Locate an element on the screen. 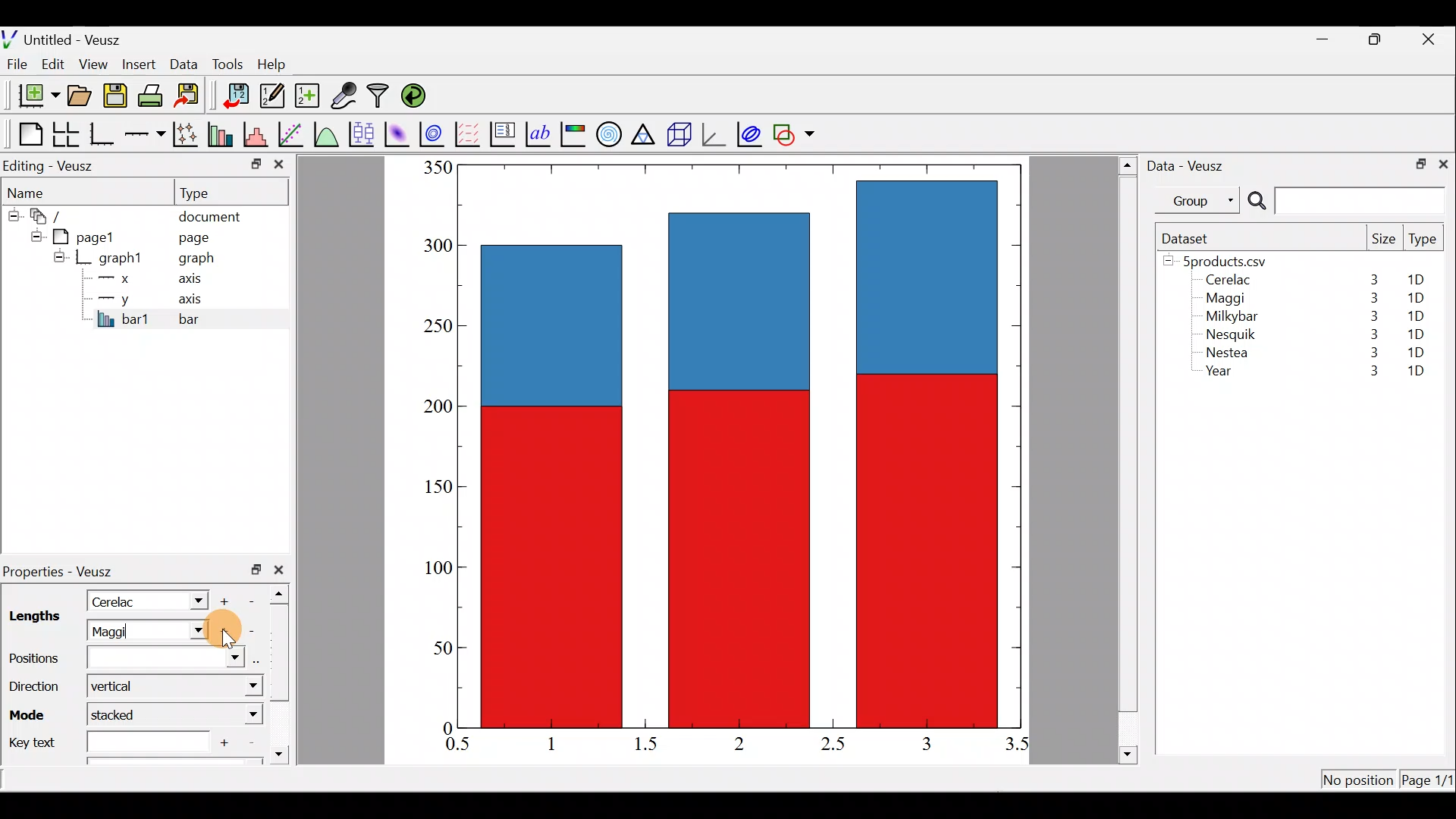  File is located at coordinates (14, 64).